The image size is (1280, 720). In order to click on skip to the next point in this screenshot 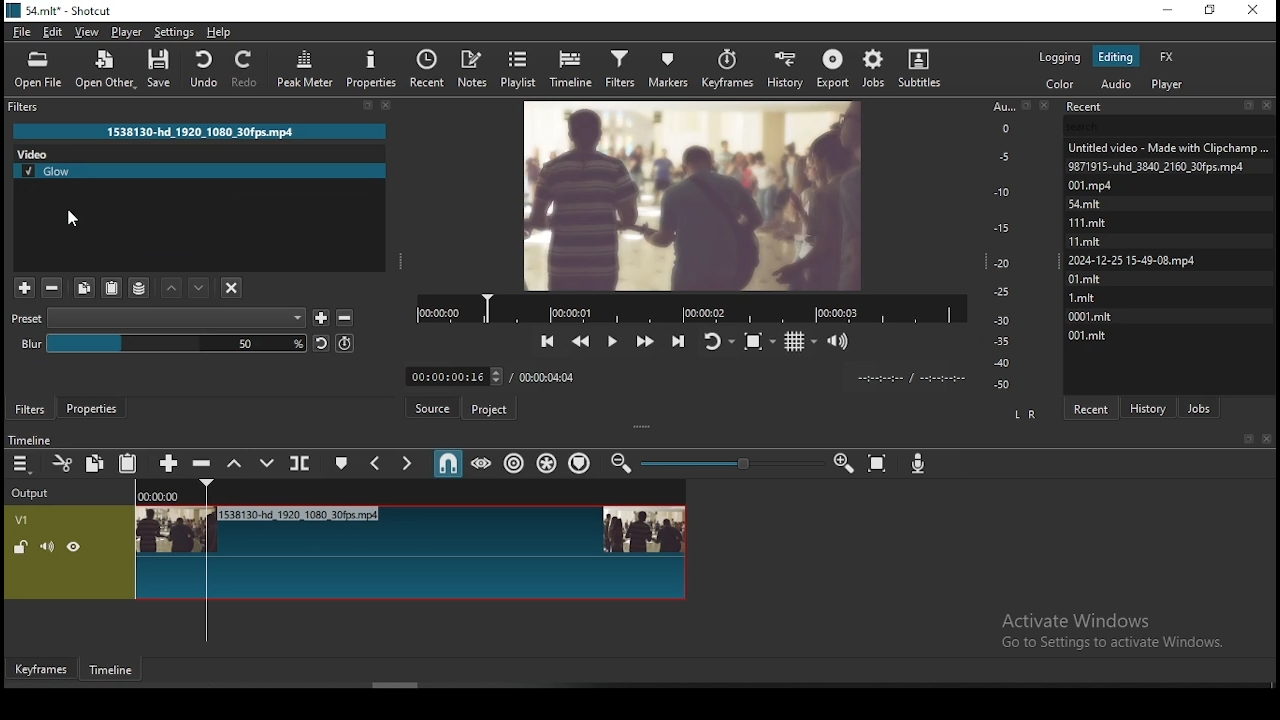, I will do `click(678, 339)`.